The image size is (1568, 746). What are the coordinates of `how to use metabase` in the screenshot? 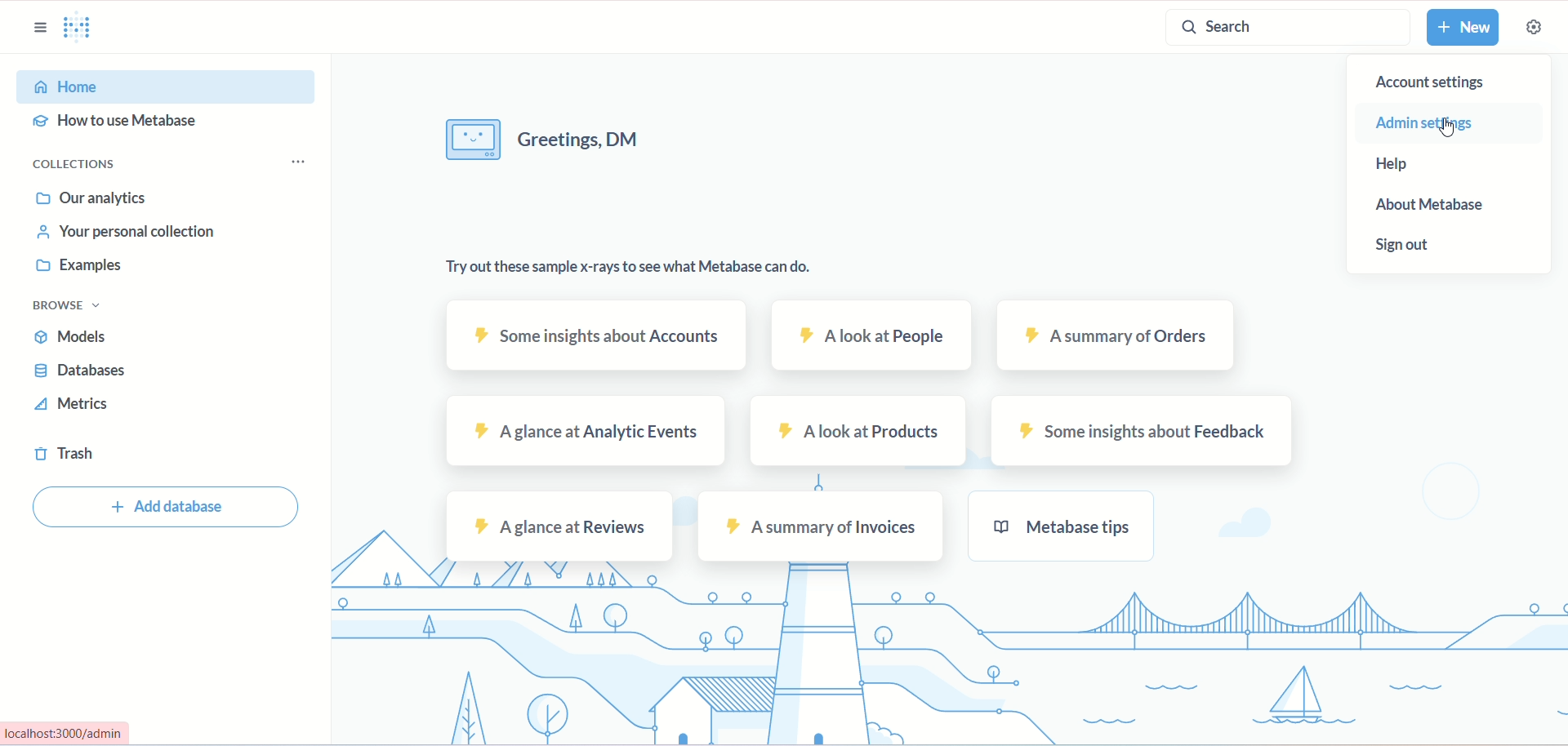 It's located at (120, 123).